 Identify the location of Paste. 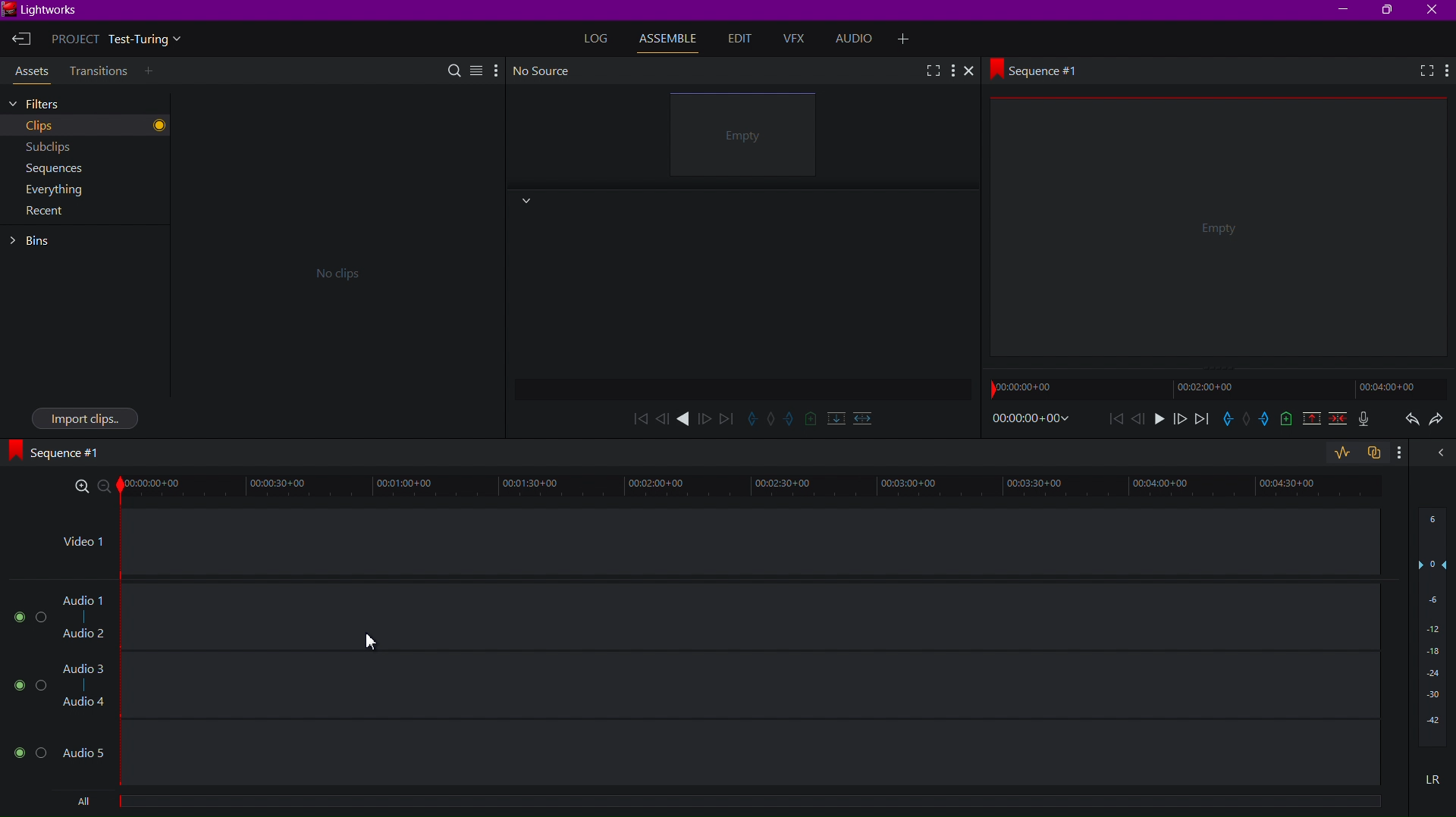
(1377, 454).